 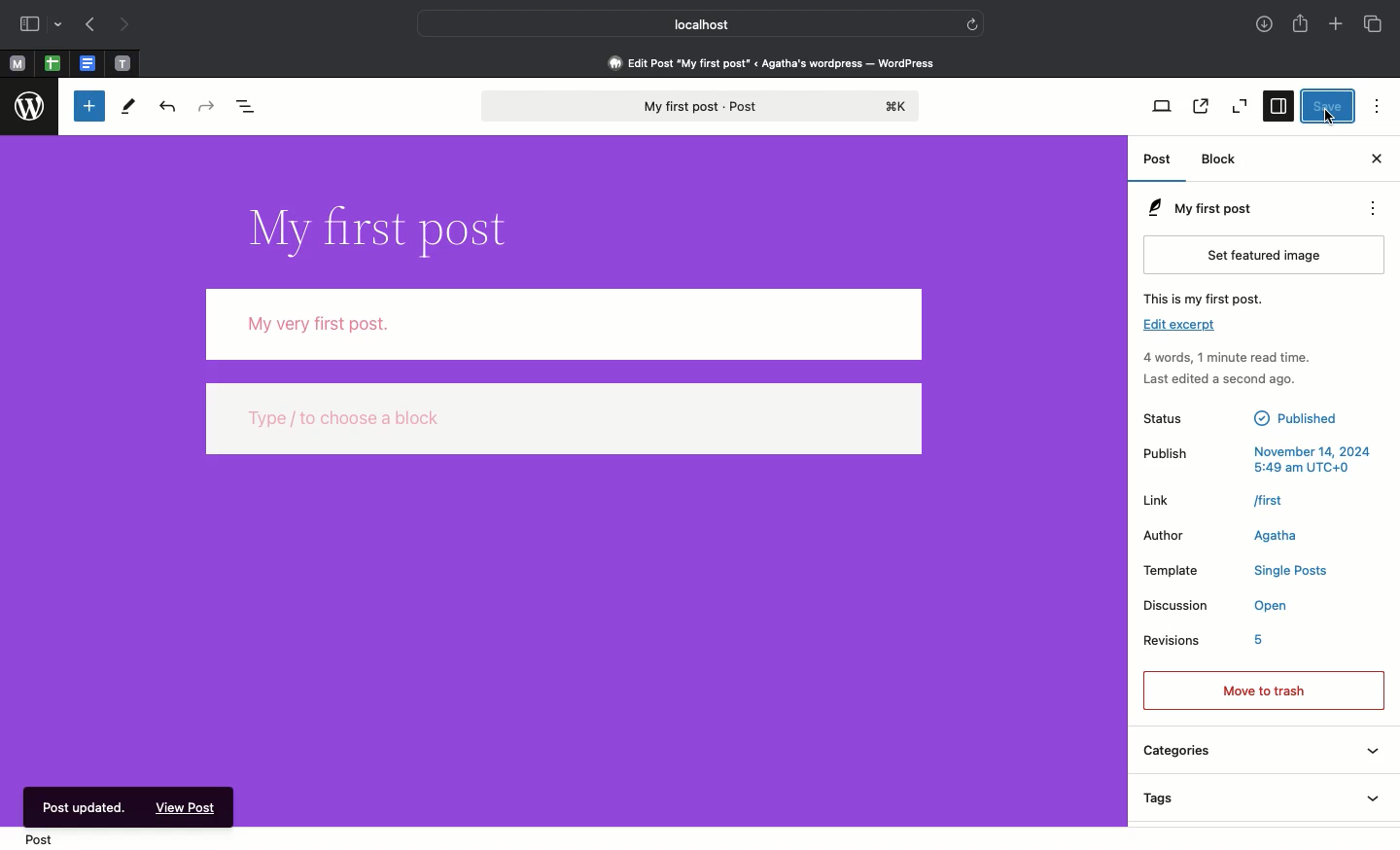 What do you see at coordinates (1231, 639) in the screenshot?
I see `Revisions` at bounding box center [1231, 639].